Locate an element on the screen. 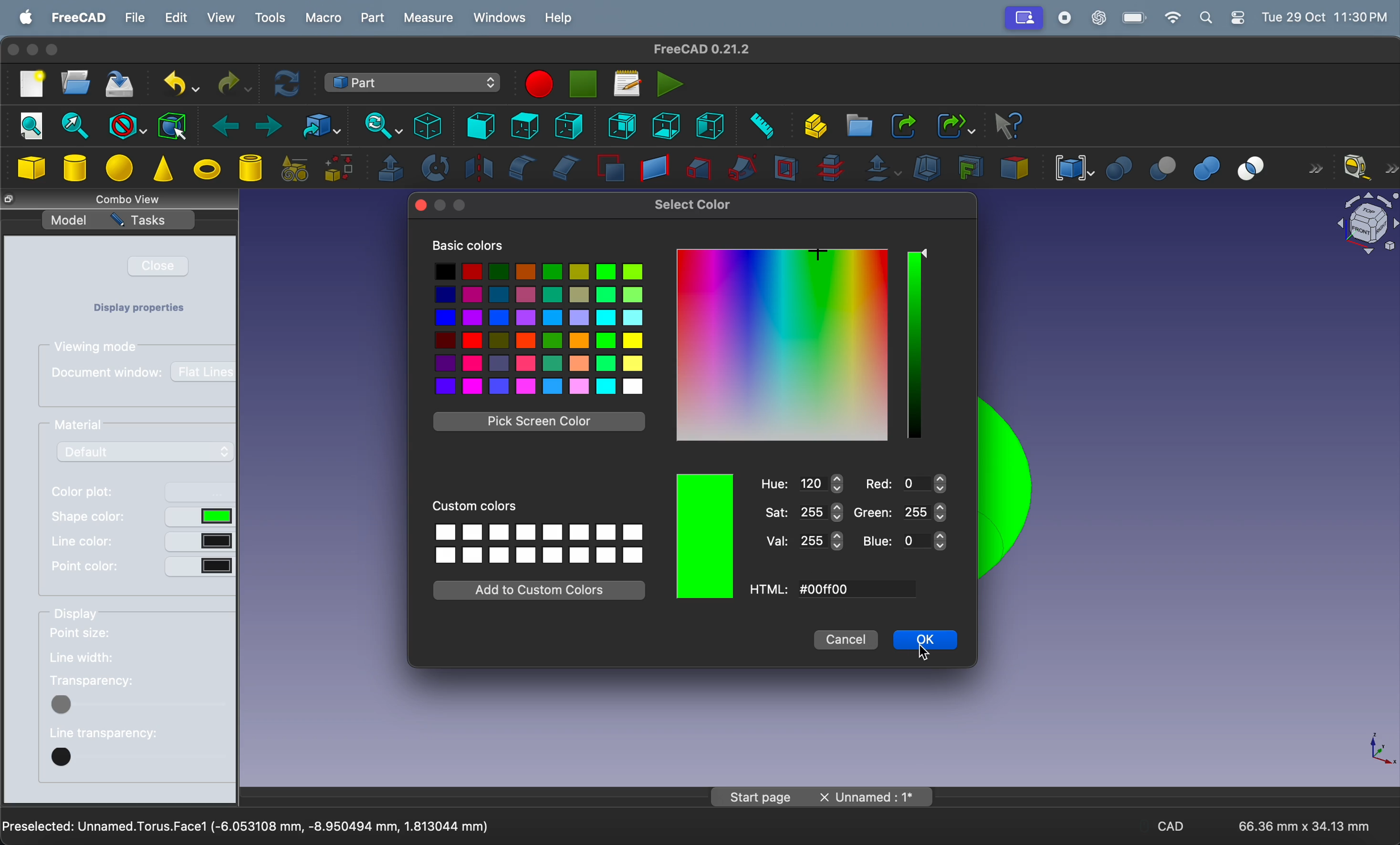 The height and width of the screenshot is (845, 1400). settings is located at coordinates (1239, 18).